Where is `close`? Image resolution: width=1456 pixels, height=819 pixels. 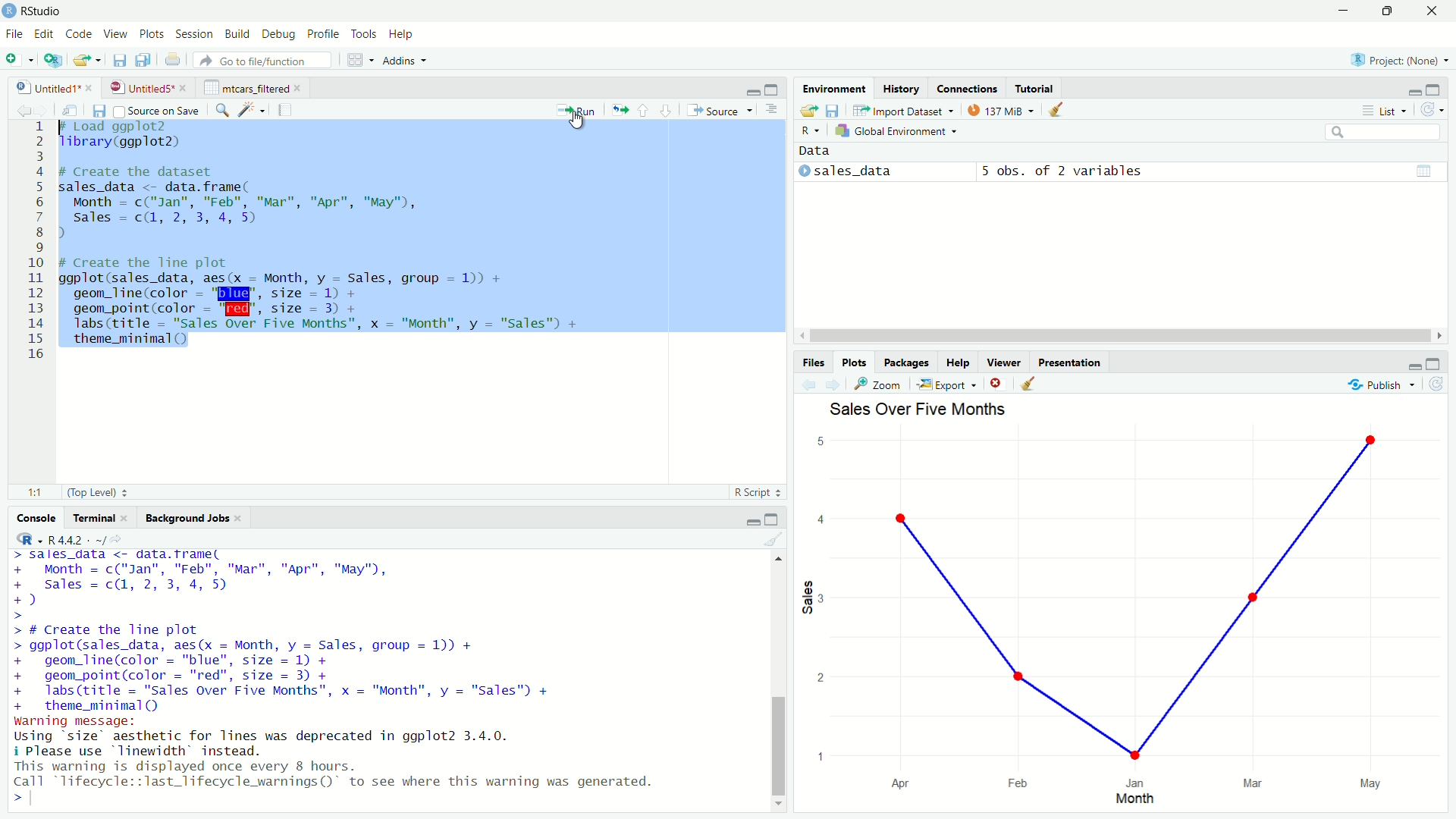
close is located at coordinates (301, 88).